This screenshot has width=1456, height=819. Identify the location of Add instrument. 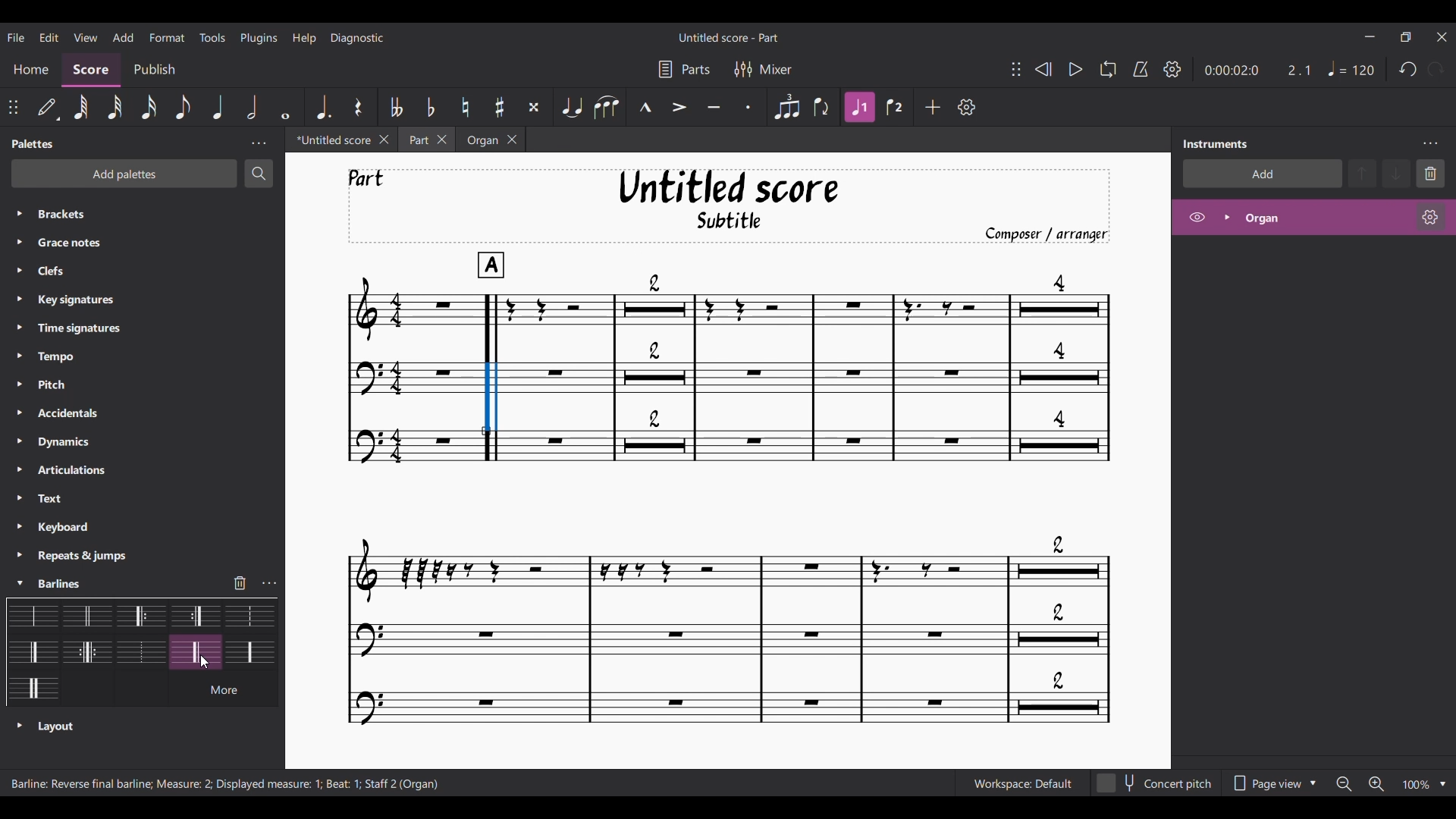
(1262, 173).